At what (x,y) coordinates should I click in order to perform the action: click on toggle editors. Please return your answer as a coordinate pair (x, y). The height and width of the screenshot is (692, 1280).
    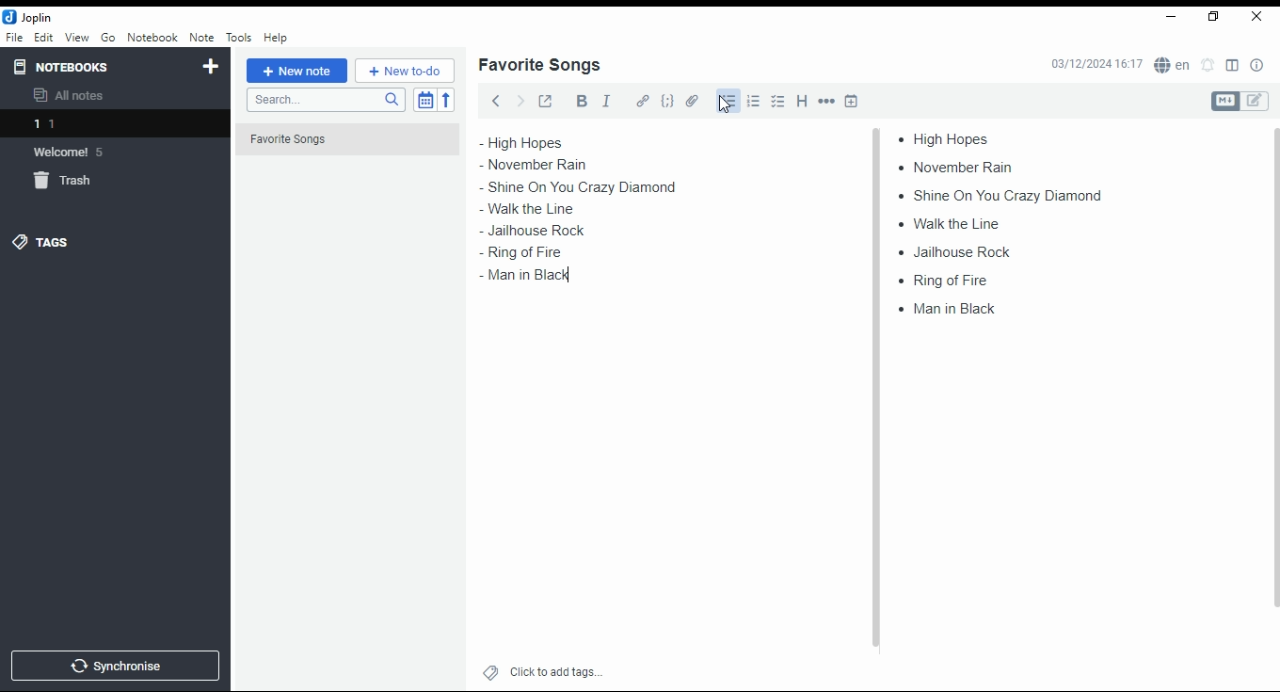
    Looking at the image, I should click on (1240, 101).